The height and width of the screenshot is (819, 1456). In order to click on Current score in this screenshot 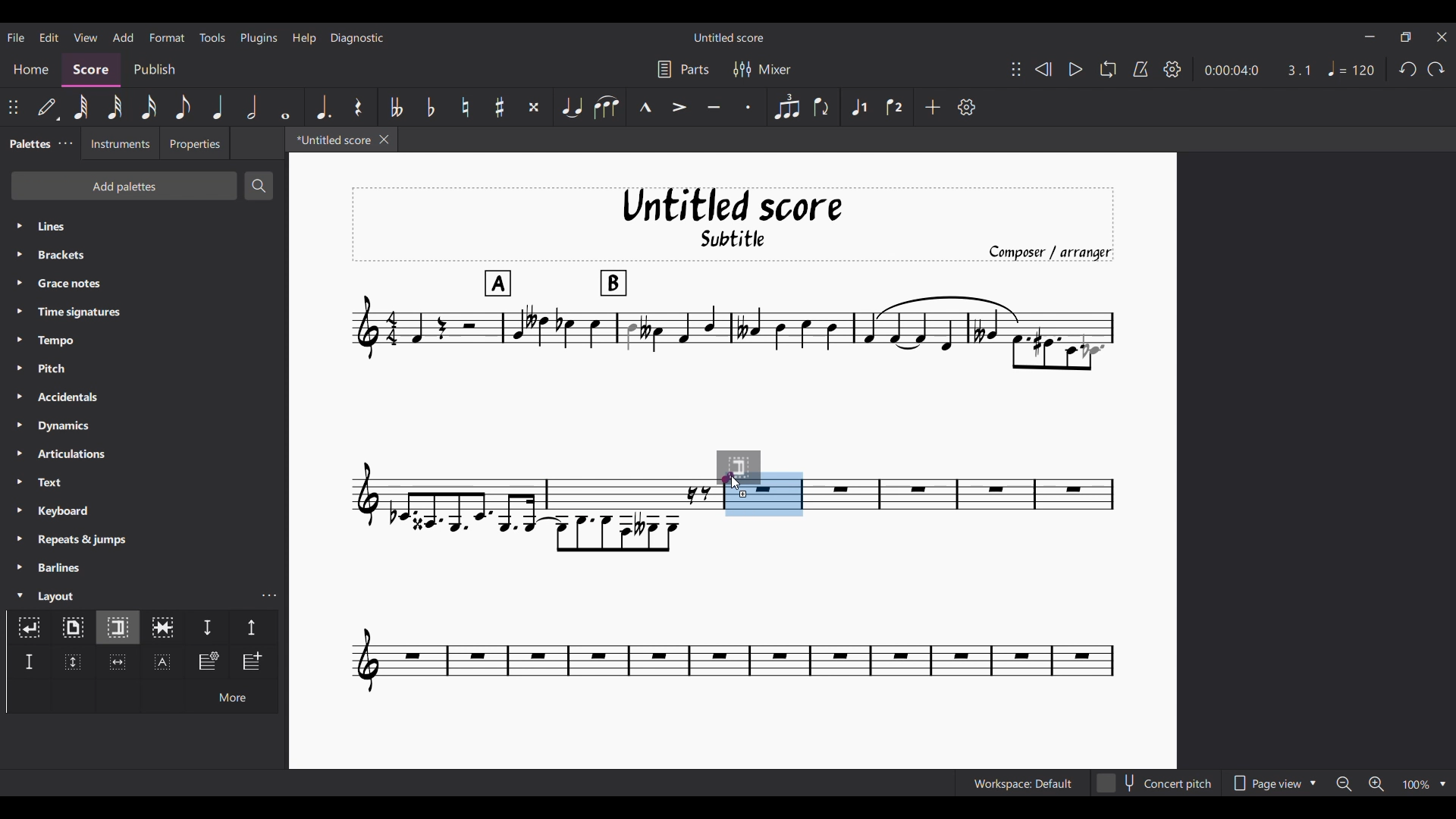, I will do `click(733, 605)`.